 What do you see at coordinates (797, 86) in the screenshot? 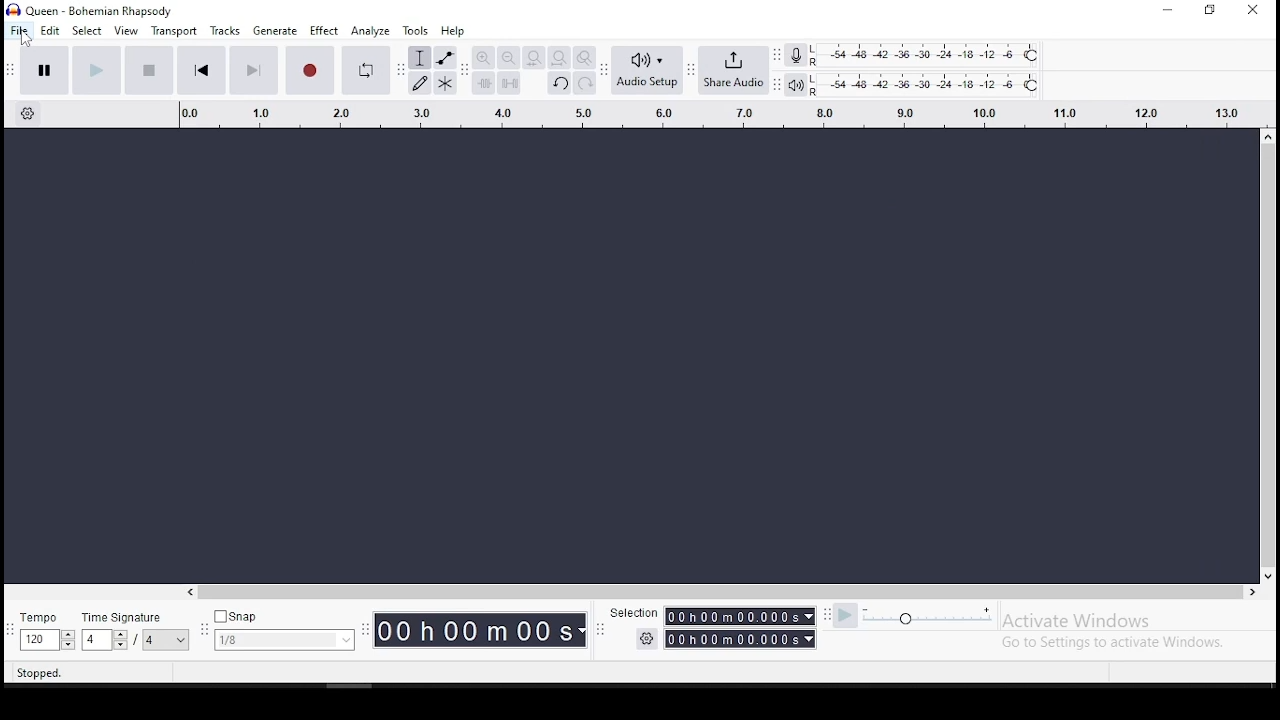
I see `playback ` at bounding box center [797, 86].